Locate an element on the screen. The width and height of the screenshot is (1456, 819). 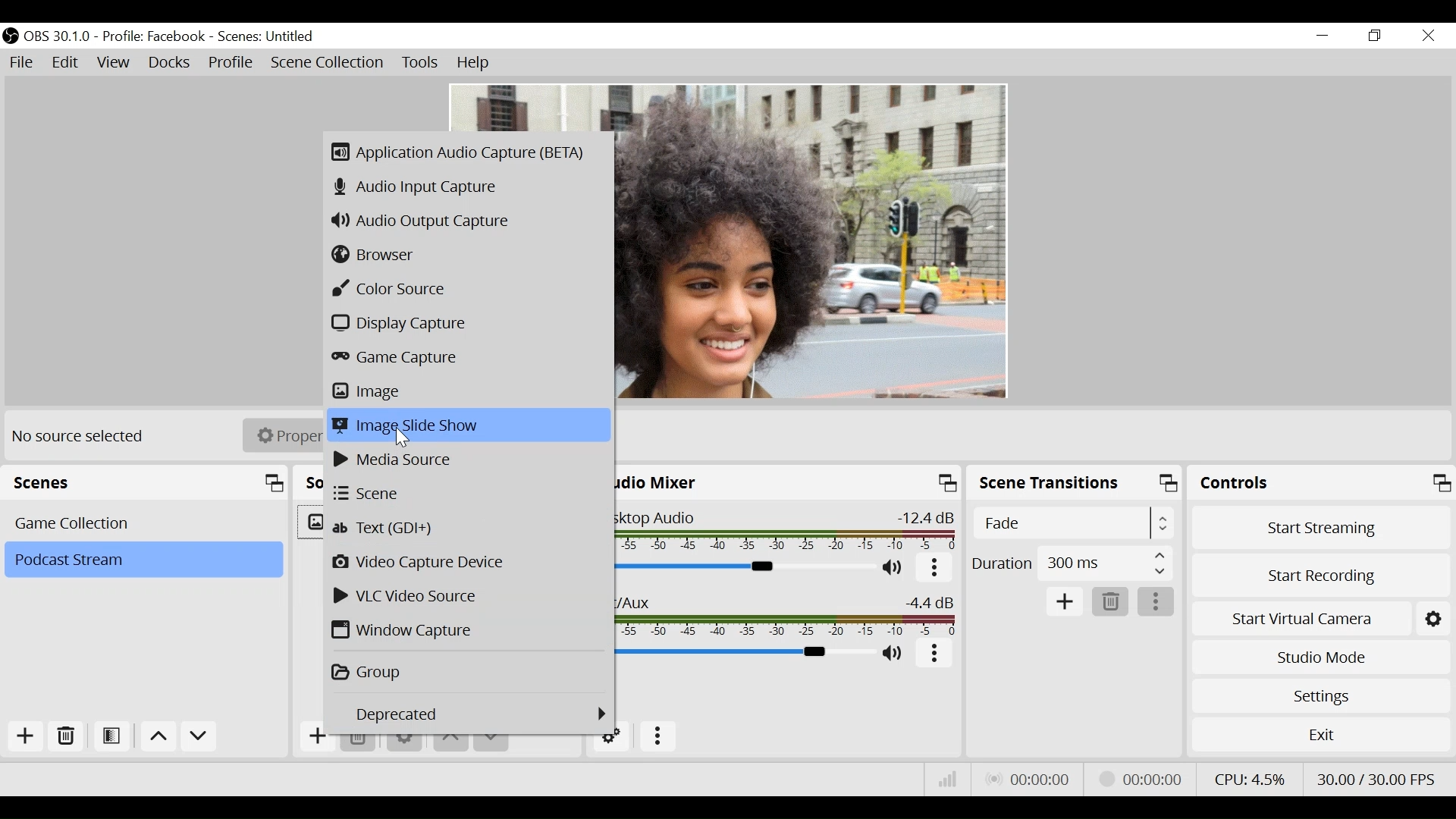
Help is located at coordinates (474, 63).